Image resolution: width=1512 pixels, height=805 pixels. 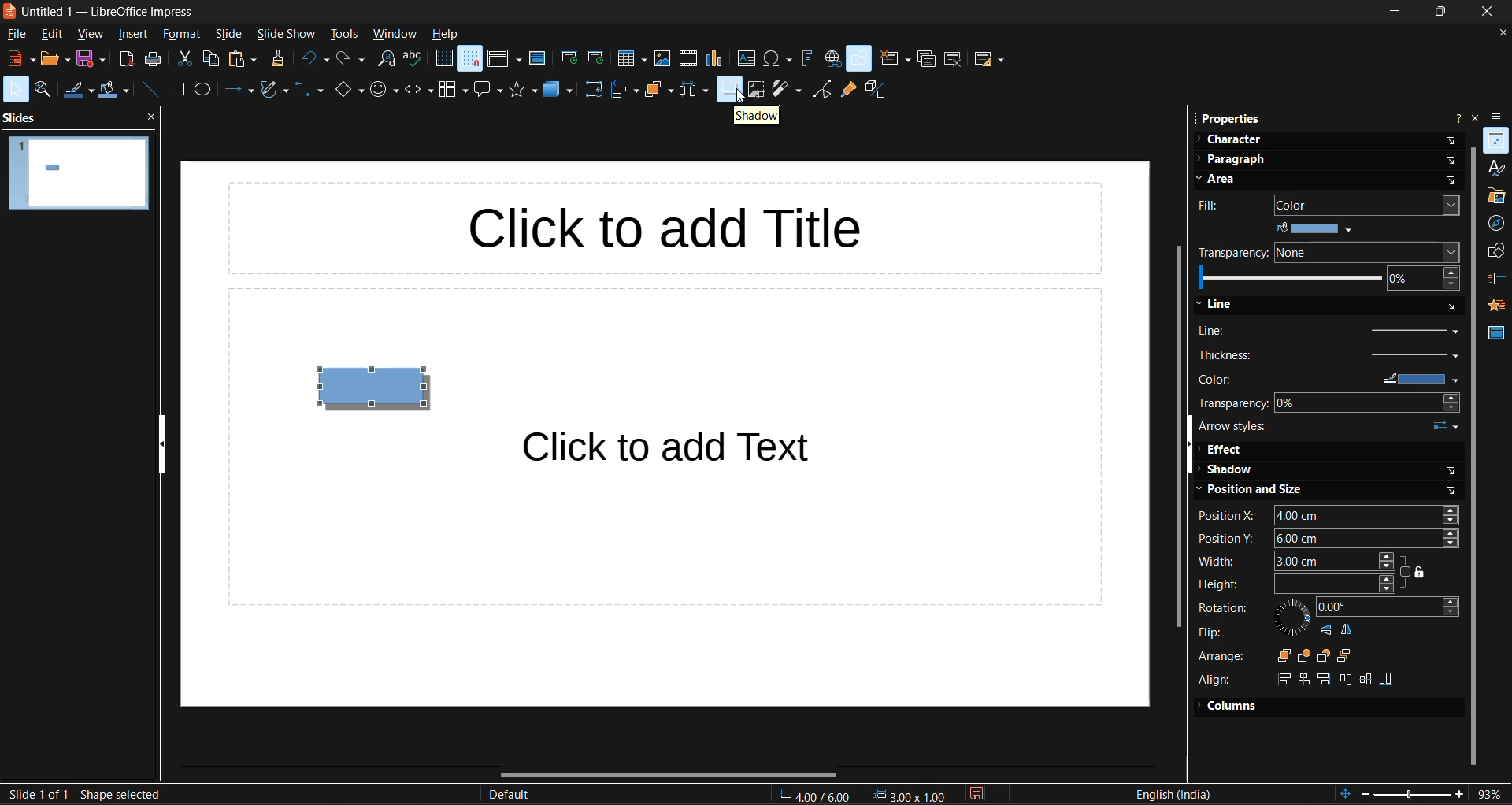 I want to click on close pane, so click(x=149, y=118).